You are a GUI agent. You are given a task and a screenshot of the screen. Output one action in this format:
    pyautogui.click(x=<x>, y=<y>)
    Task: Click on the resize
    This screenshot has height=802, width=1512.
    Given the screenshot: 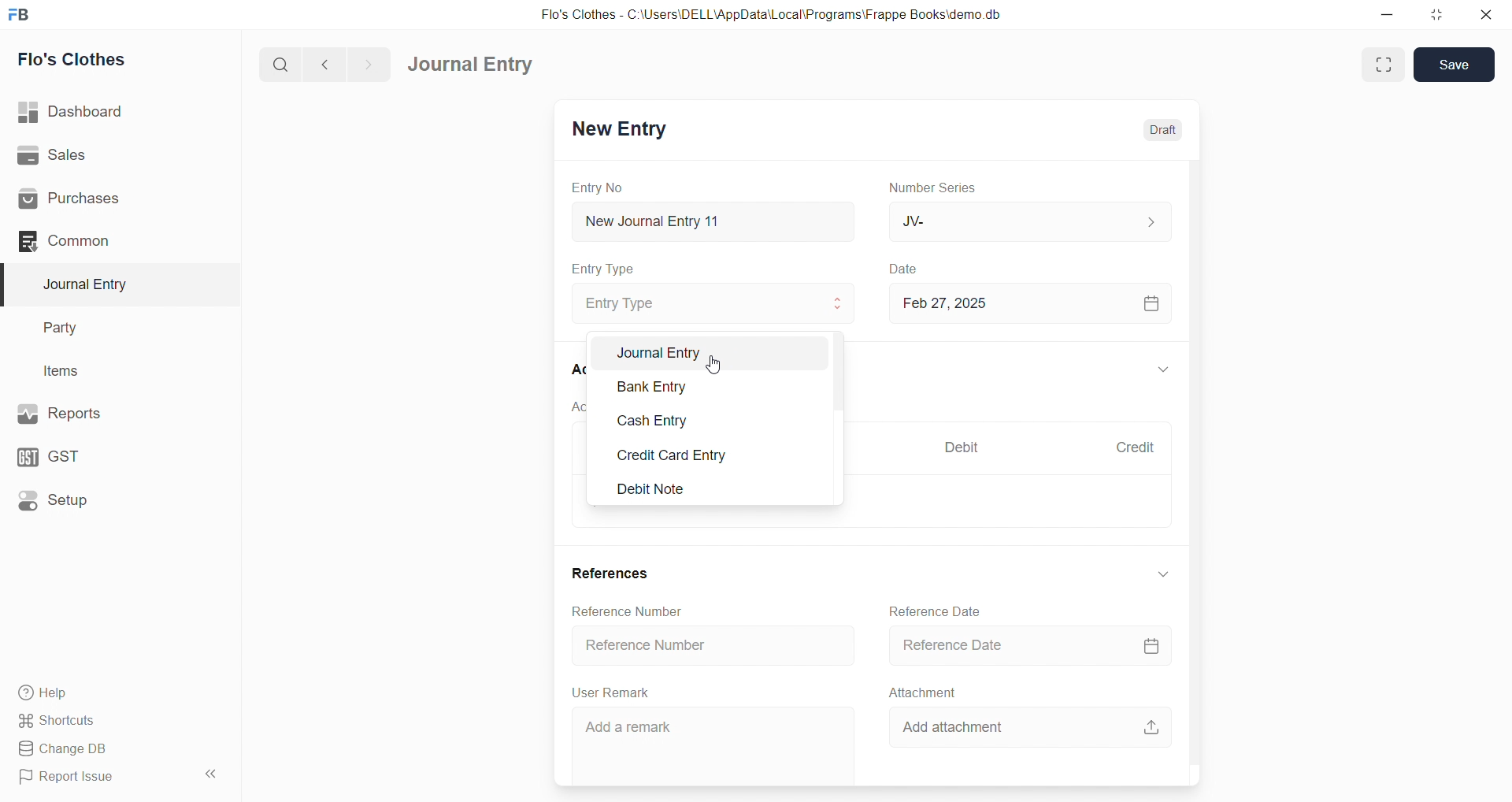 What is the action you would take?
    pyautogui.click(x=1436, y=13)
    